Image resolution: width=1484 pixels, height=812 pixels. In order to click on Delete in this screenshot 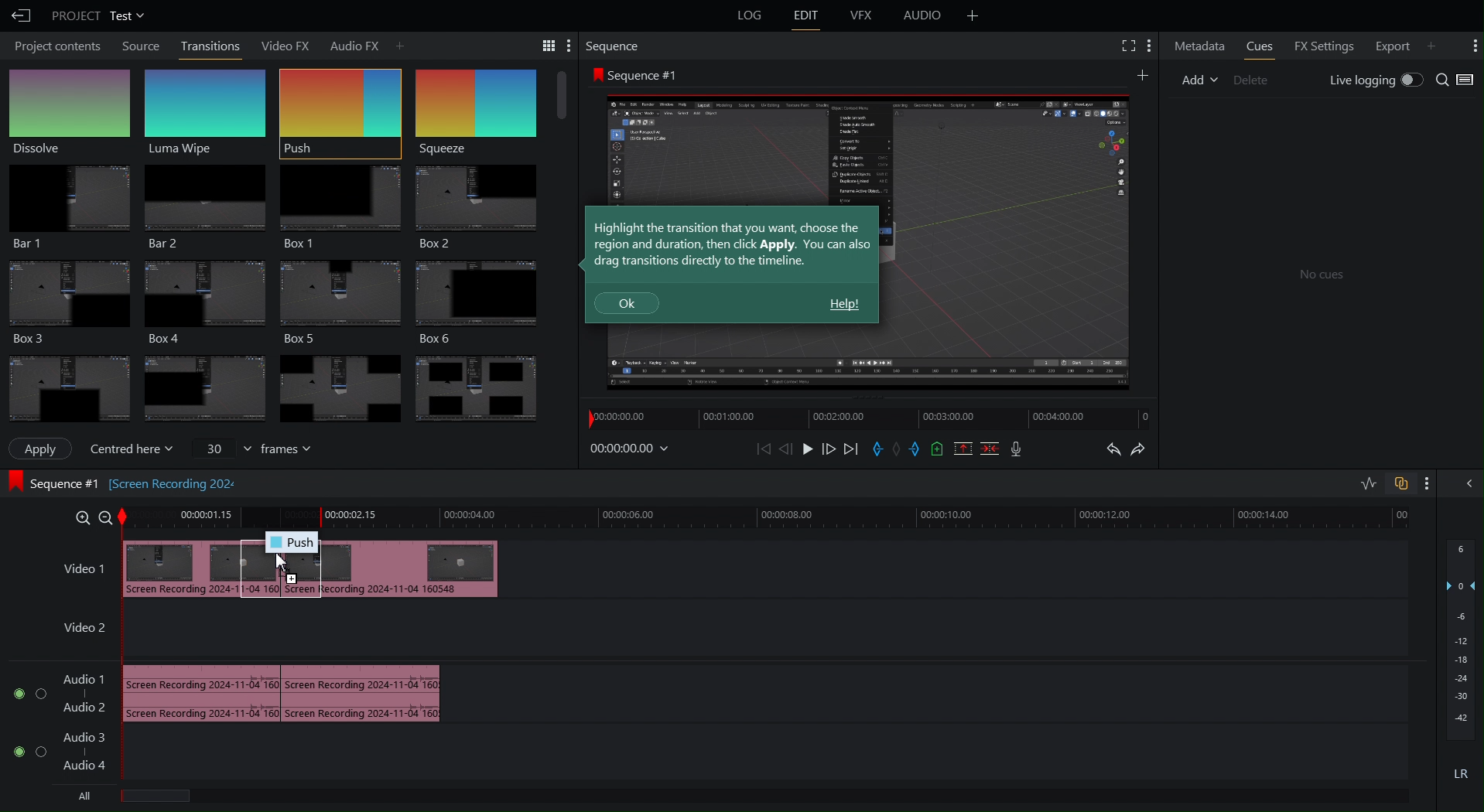, I will do `click(1251, 79)`.